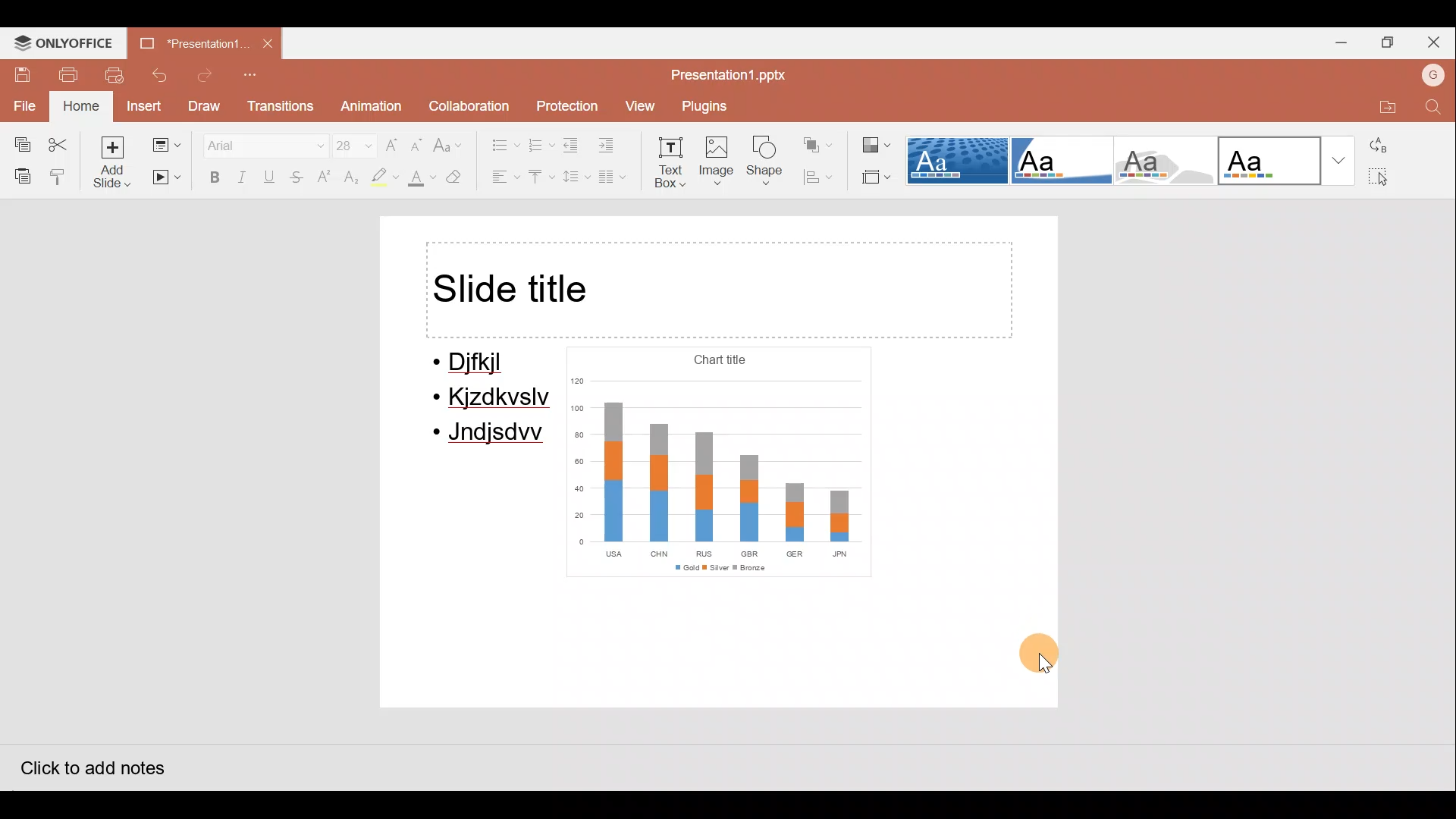 The width and height of the screenshot is (1456, 819). What do you see at coordinates (538, 143) in the screenshot?
I see `Numbering` at bounding box center [538, 143].